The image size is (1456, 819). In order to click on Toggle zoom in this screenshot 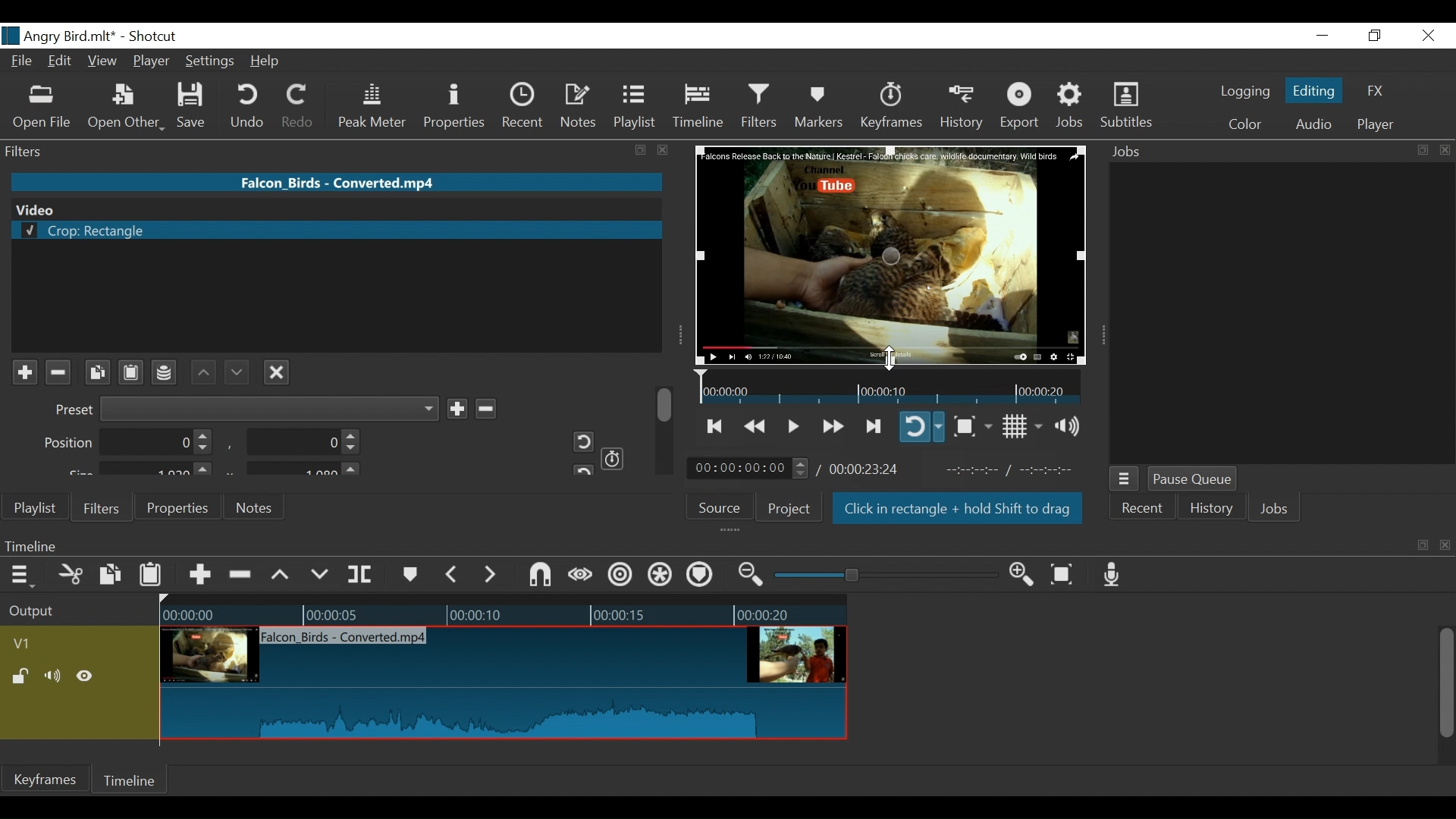, I will do `click(972, 426)`.